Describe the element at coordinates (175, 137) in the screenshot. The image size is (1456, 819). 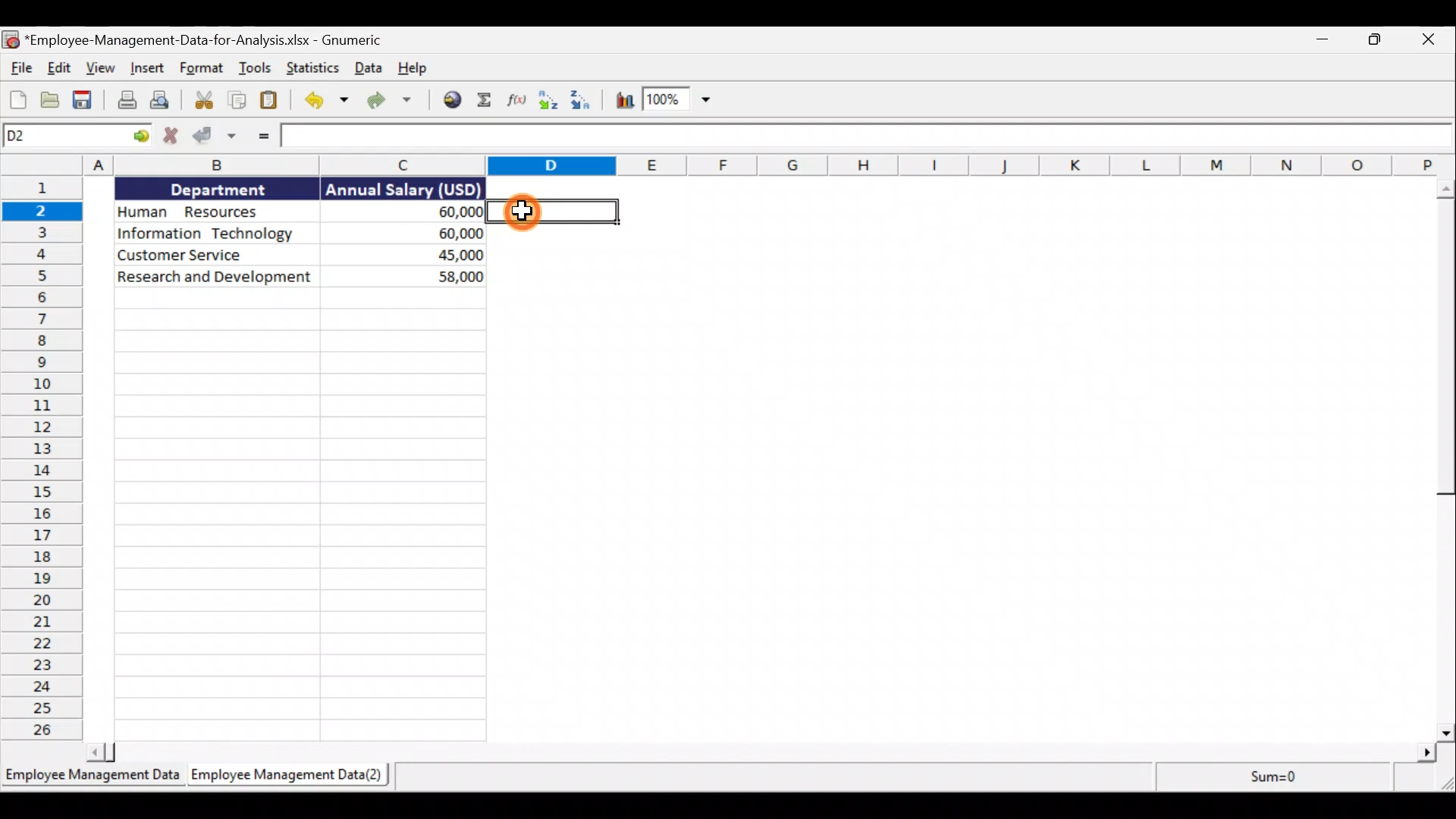
I see `Cancel change` at that location.